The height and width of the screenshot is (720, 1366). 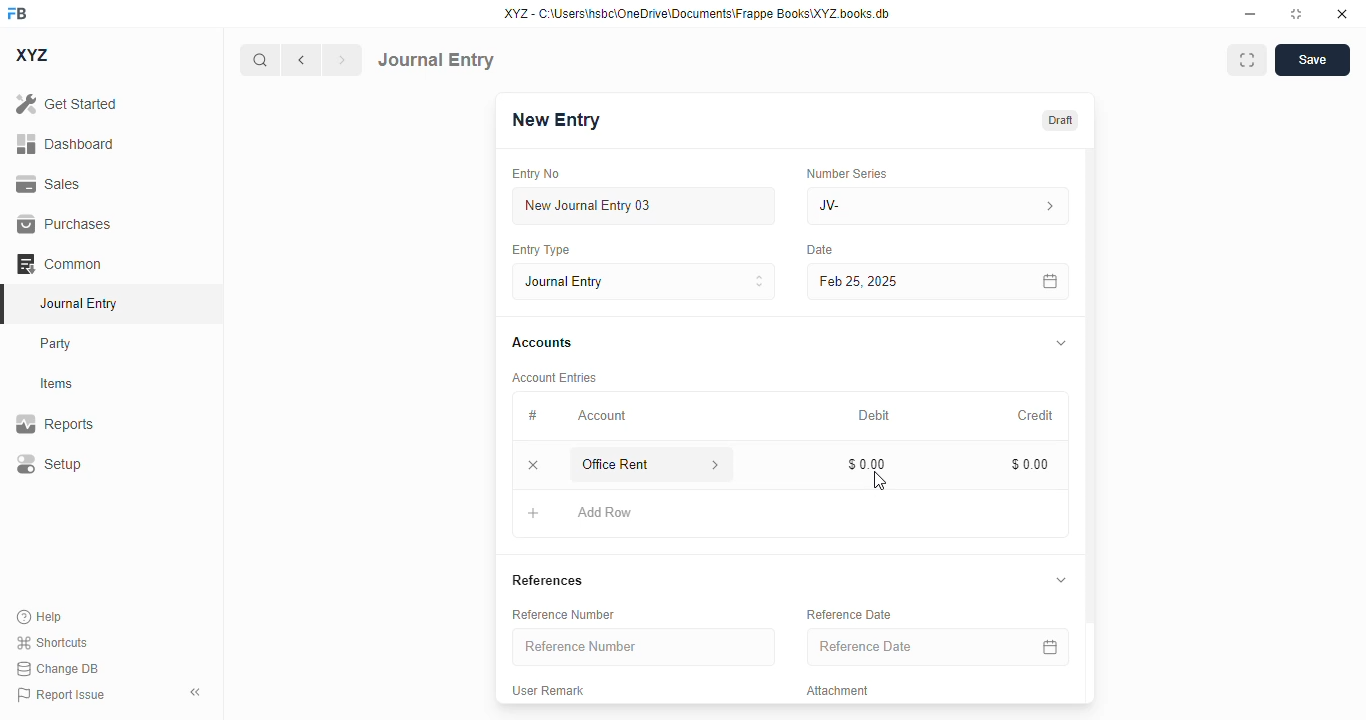 What do you see at coordinates (554, 120) in the screenshot?
I see `new entry` at bounding box center [554, 120].